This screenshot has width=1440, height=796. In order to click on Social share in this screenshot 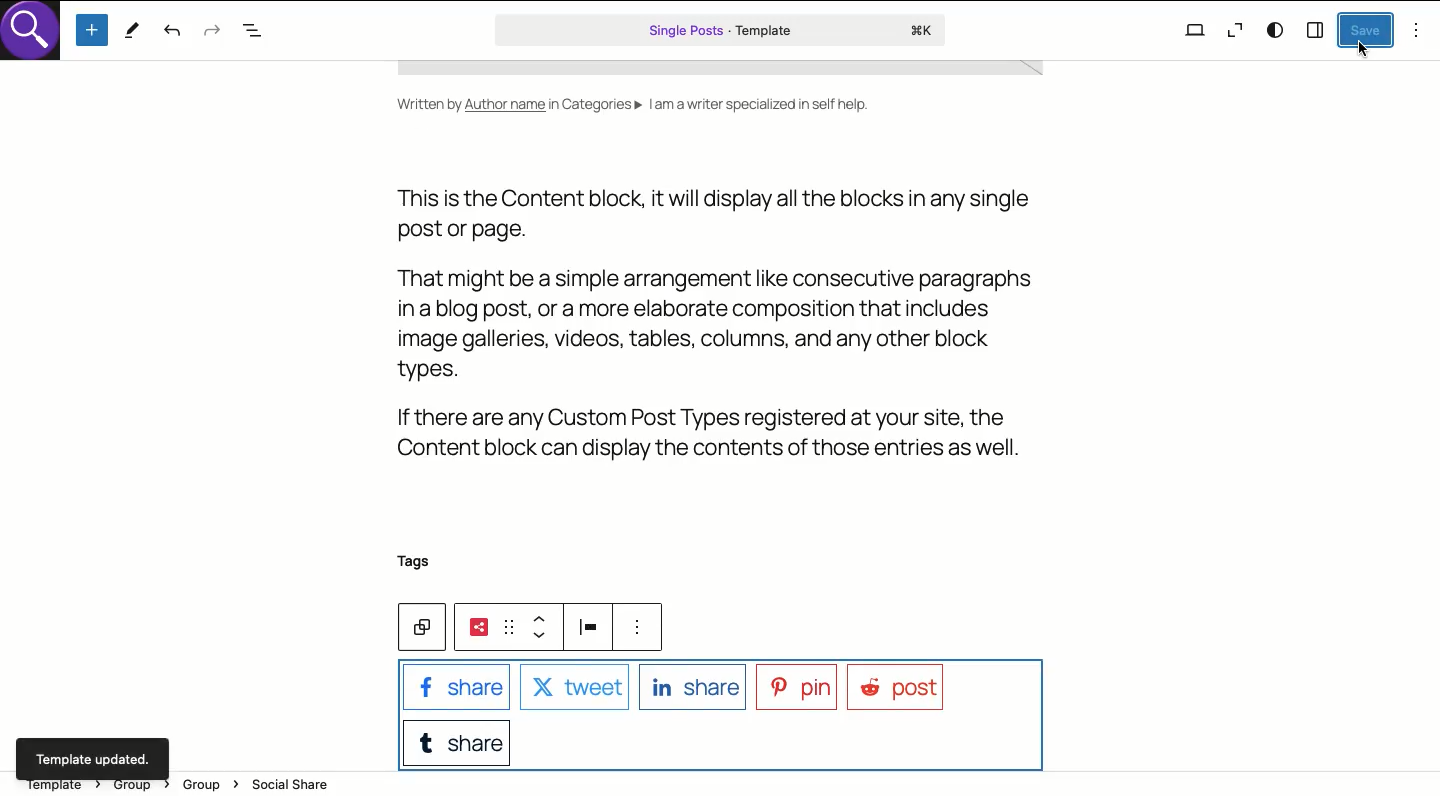, I will do `click(479, 628)`.